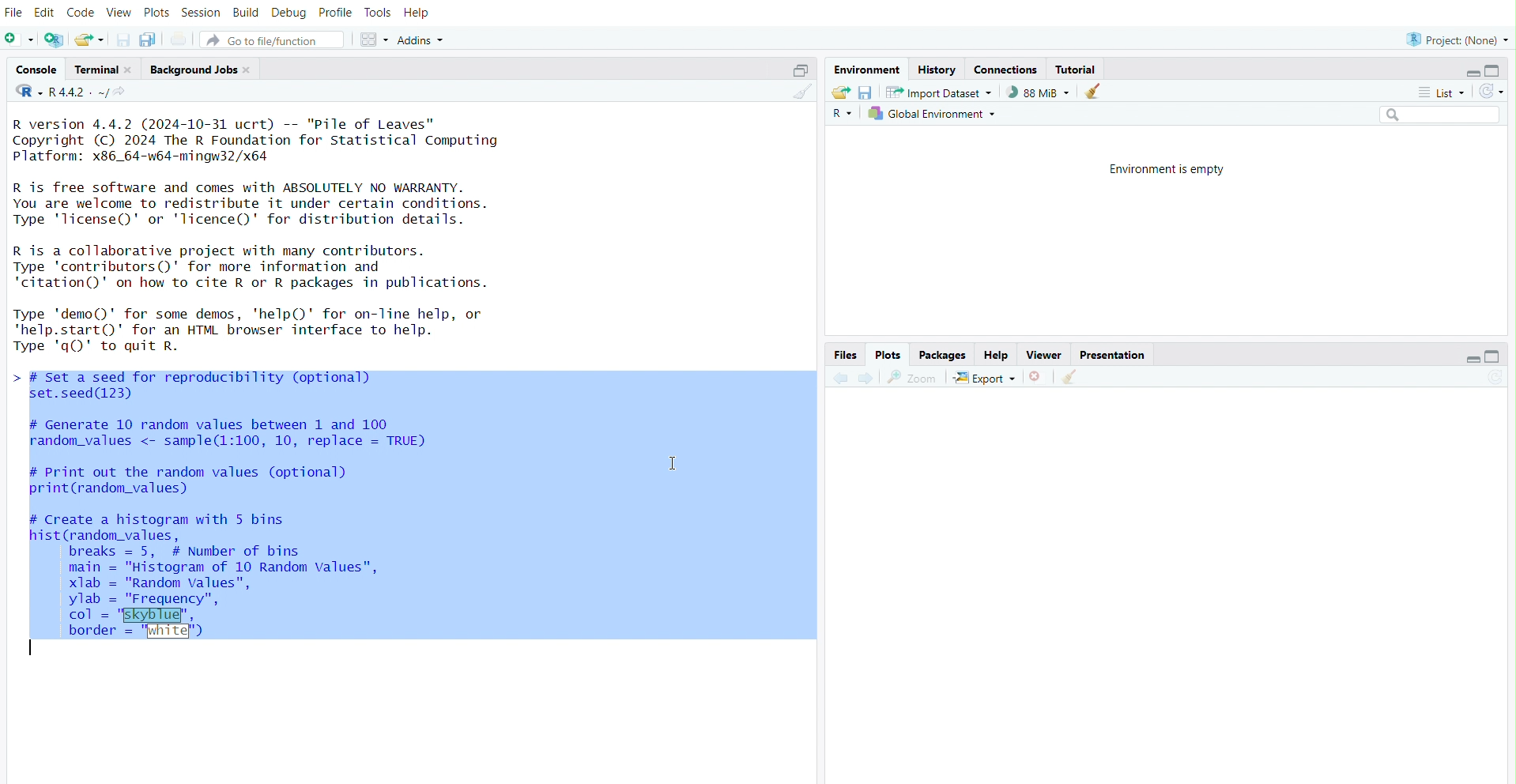 This screenshot has width=1516, height=784. Describe the element at coordinates (1046, 355) in the screenshot. I see `viewer` at that location.